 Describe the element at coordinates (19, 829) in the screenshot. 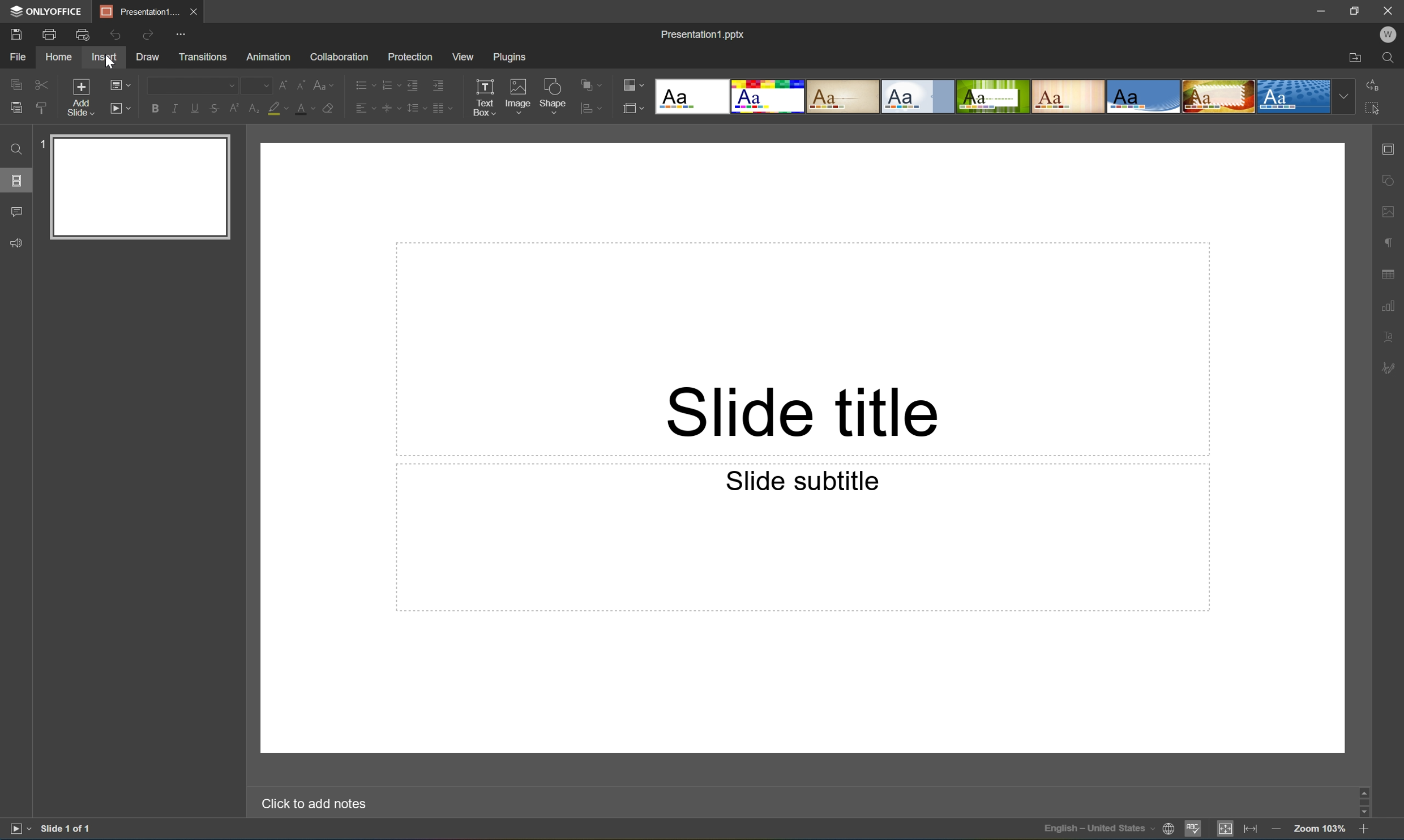

I see `Start slideshow` at that location.